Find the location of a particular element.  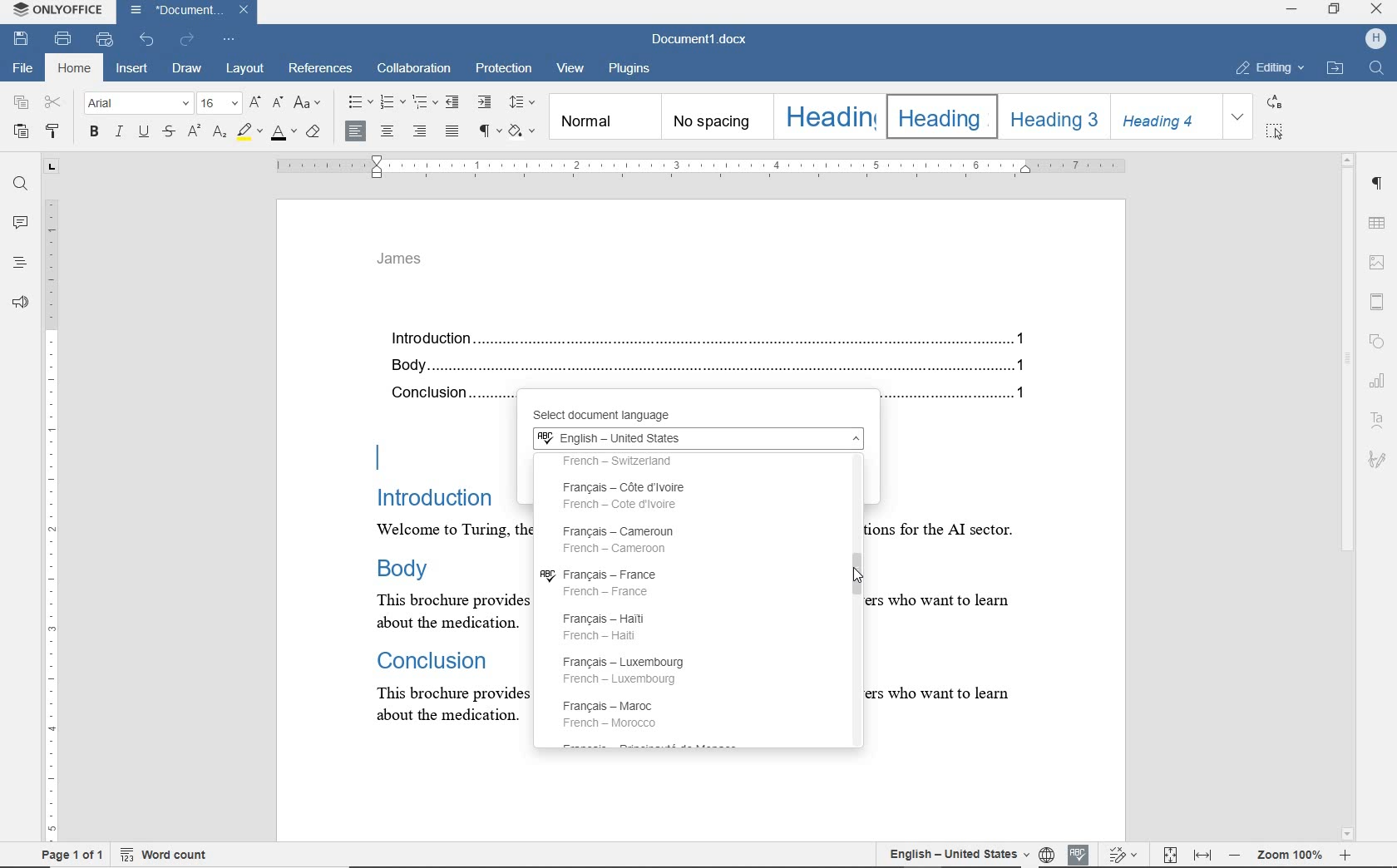

charts is located at coordinates (1381, 378).